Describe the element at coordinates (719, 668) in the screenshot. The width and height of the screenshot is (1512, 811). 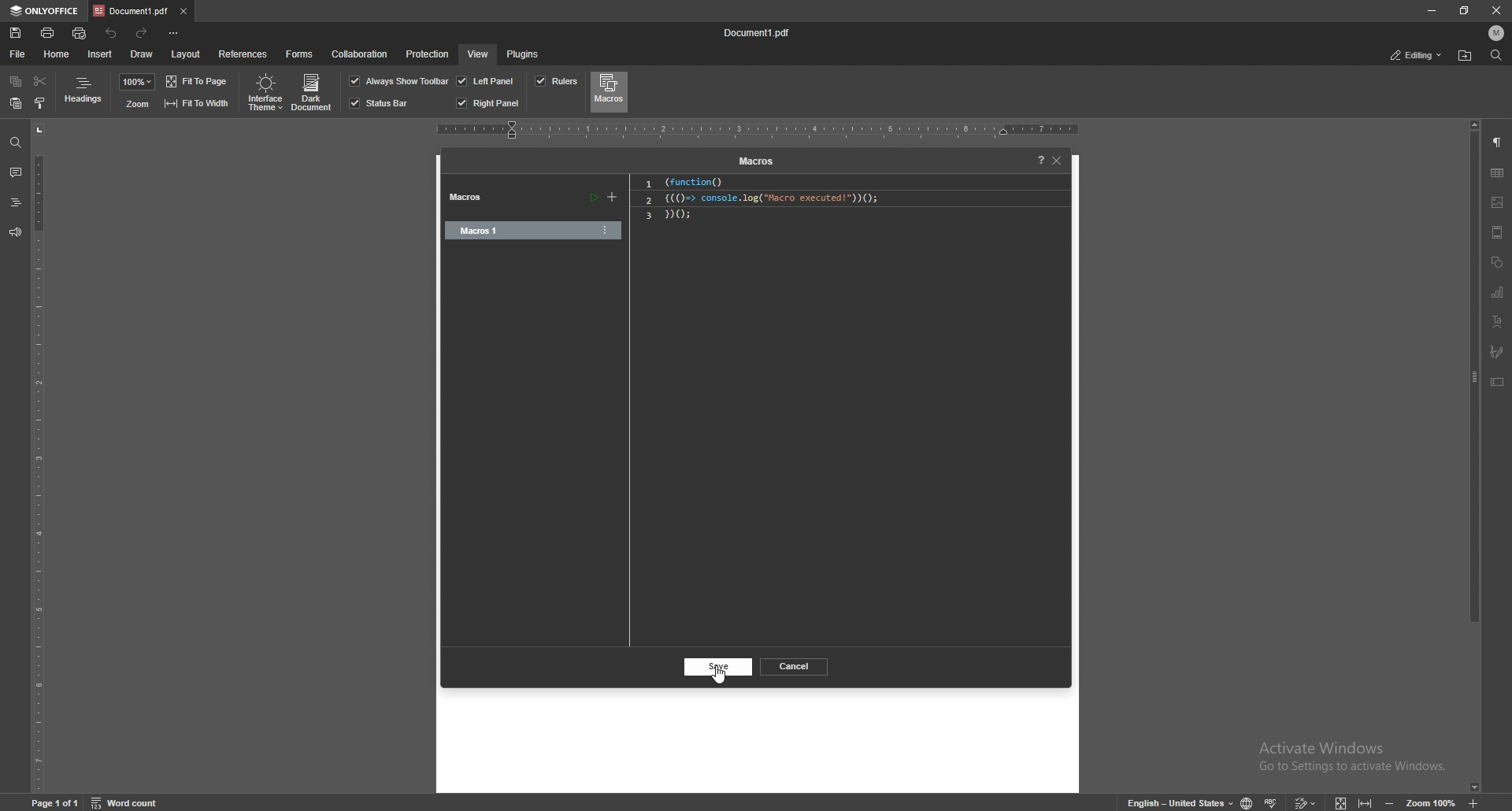
I see `save` at that location.